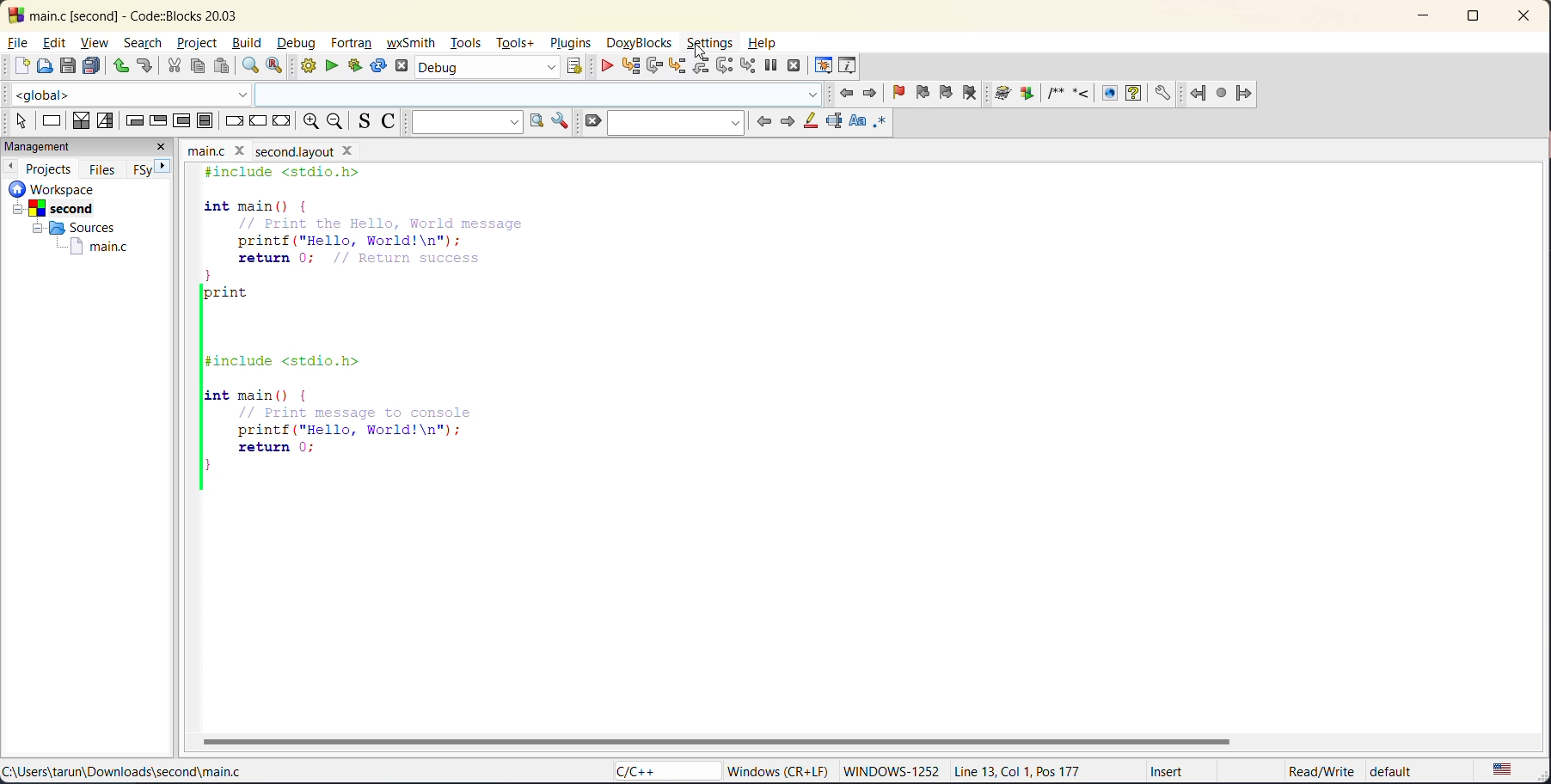 This screenshot has height=784, width=1551. I want to click on clear, so click(591, 120).